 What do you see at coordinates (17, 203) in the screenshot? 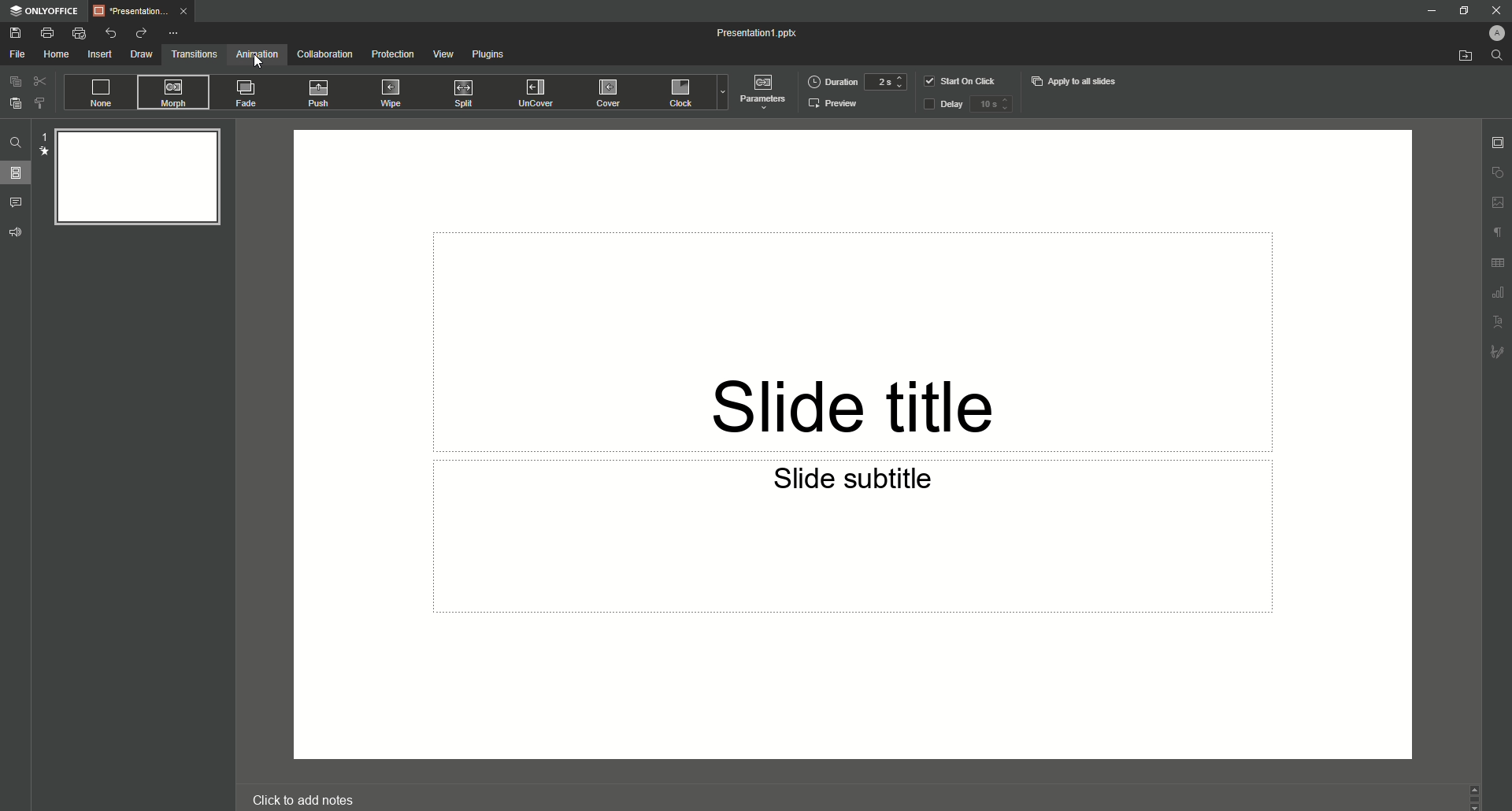
I see `Comments` at bounding box center [17, 203].